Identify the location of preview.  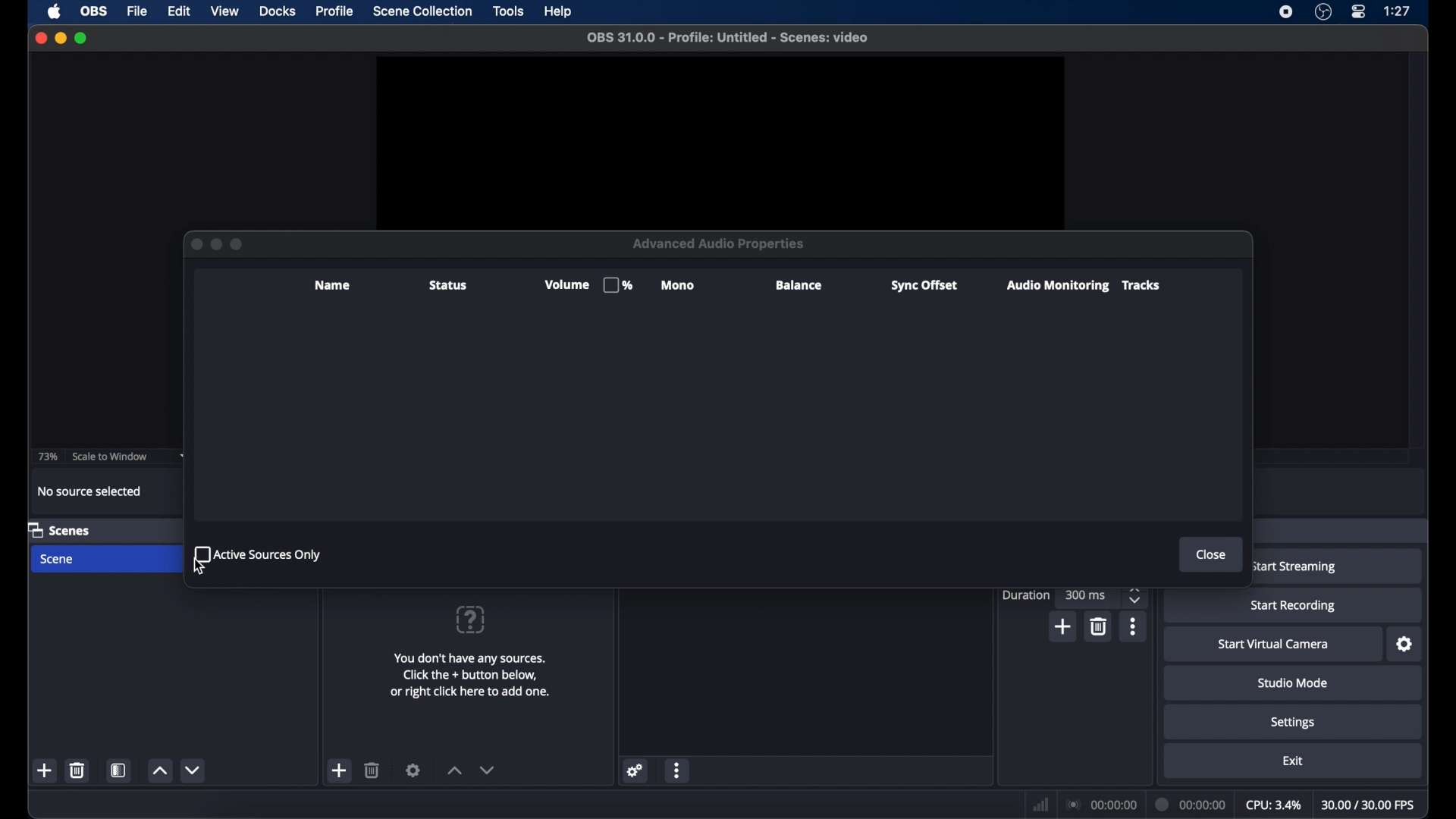
(722, 140).